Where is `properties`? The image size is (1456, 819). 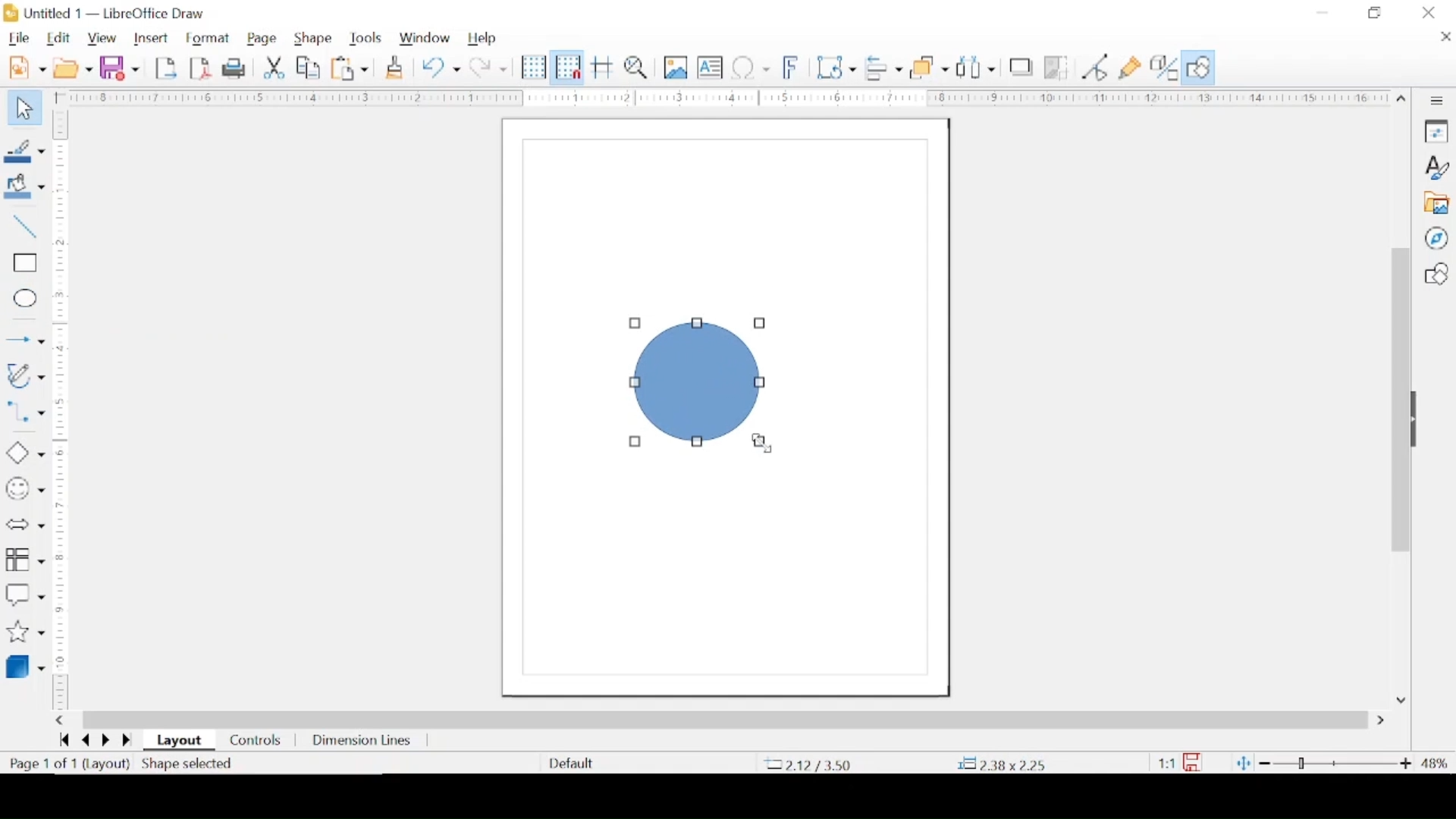
properties is located at coordinates (1438, 132).